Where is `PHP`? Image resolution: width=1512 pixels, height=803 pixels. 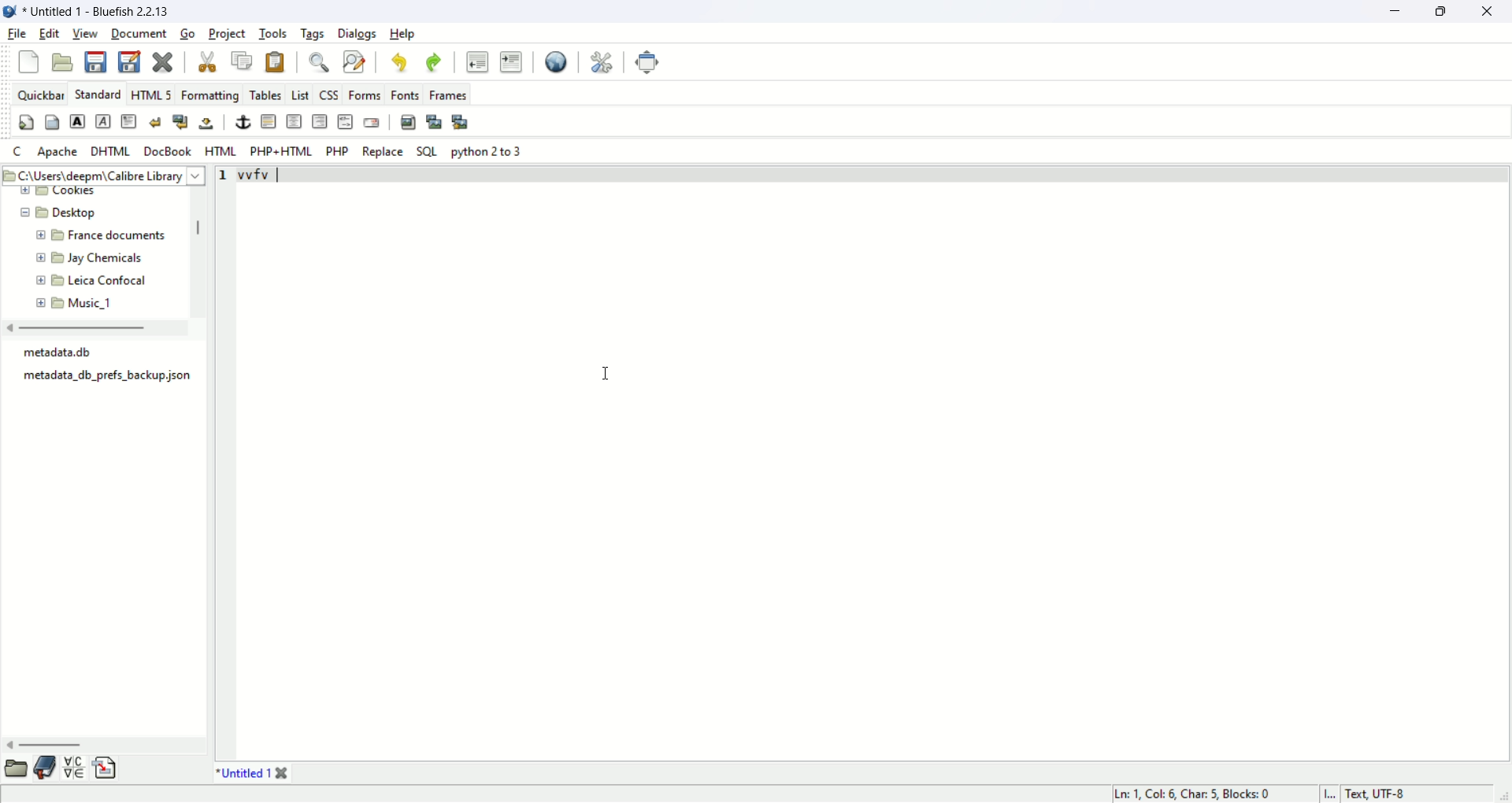 PHP is located at coordinates (336, 154).